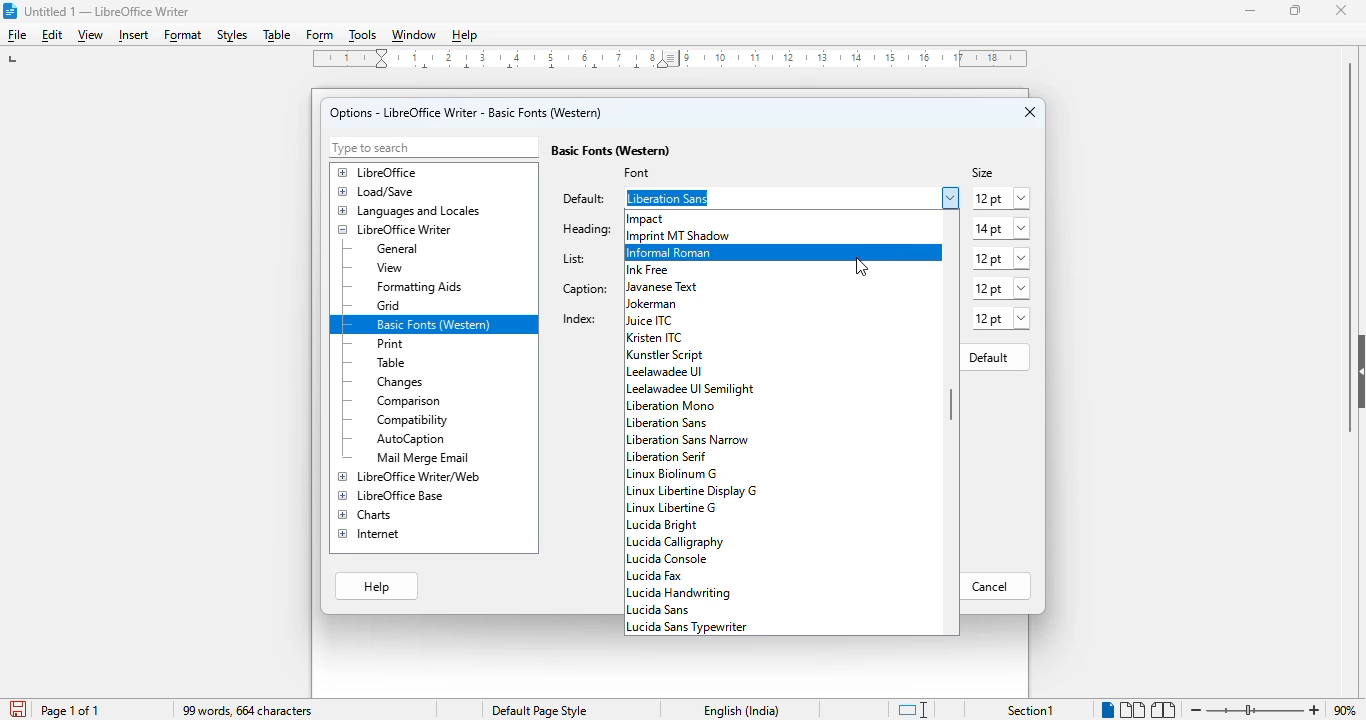  I want to click on options - LibreOffice Writer - basic fonts (Western), so click(467, 112).